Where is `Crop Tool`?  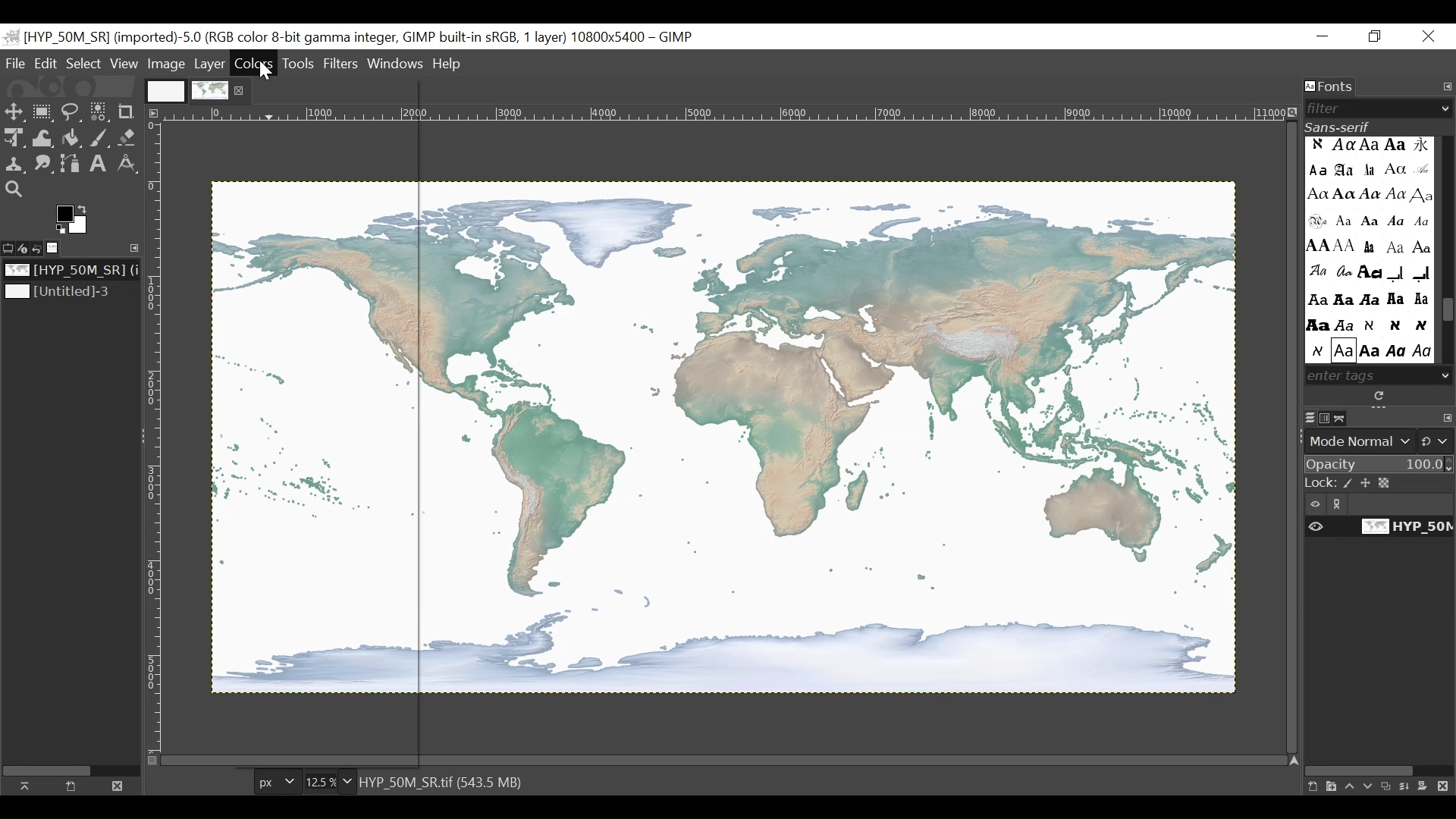 Crop Tool is located at coordinates (129, 111).